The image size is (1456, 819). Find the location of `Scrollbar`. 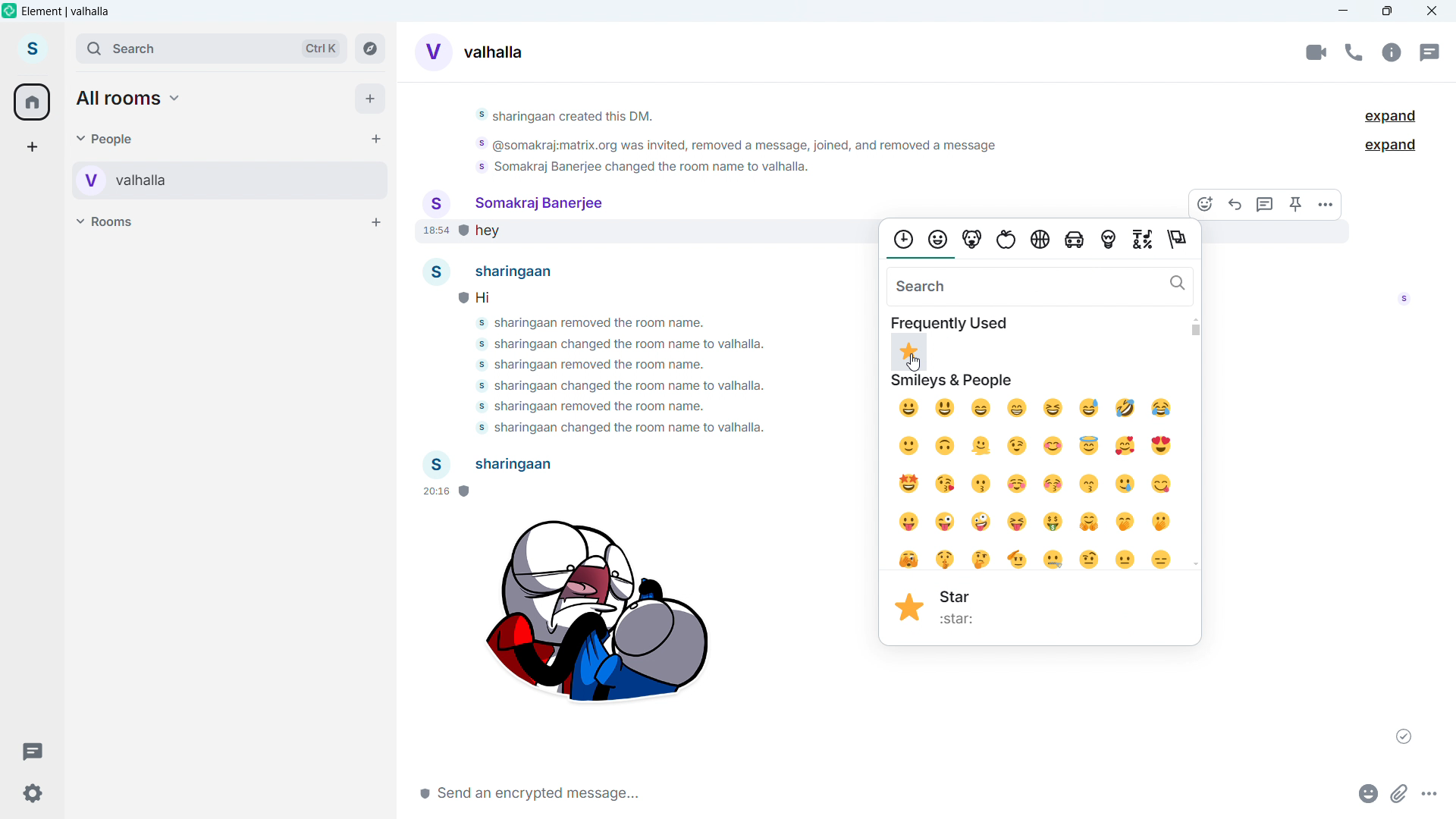

Scrollbar is located at coordinates (1195, 330).